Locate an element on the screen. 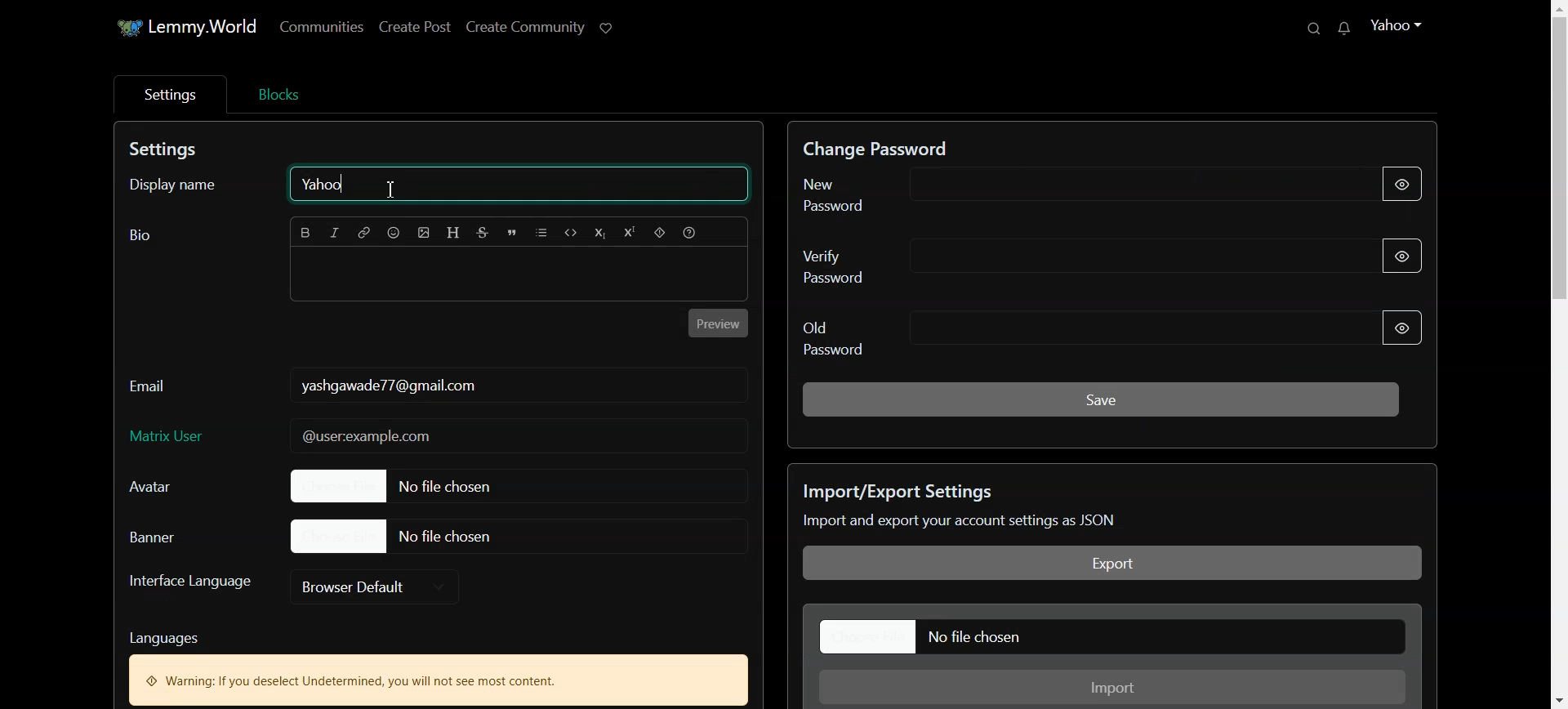 This screenshot has height=709, width=1568. Text cursor is located at coordinates (411, 190).